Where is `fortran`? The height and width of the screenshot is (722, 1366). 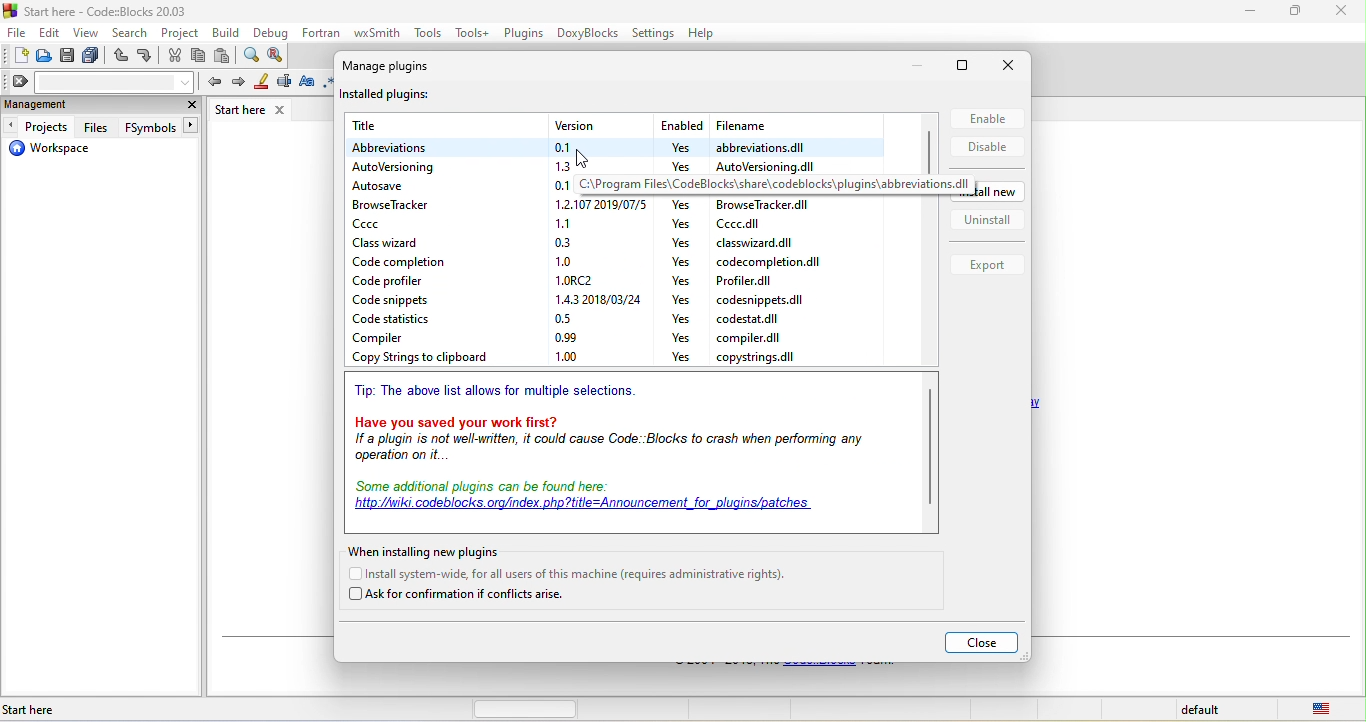 fortran is located at coordinates (320, 30).